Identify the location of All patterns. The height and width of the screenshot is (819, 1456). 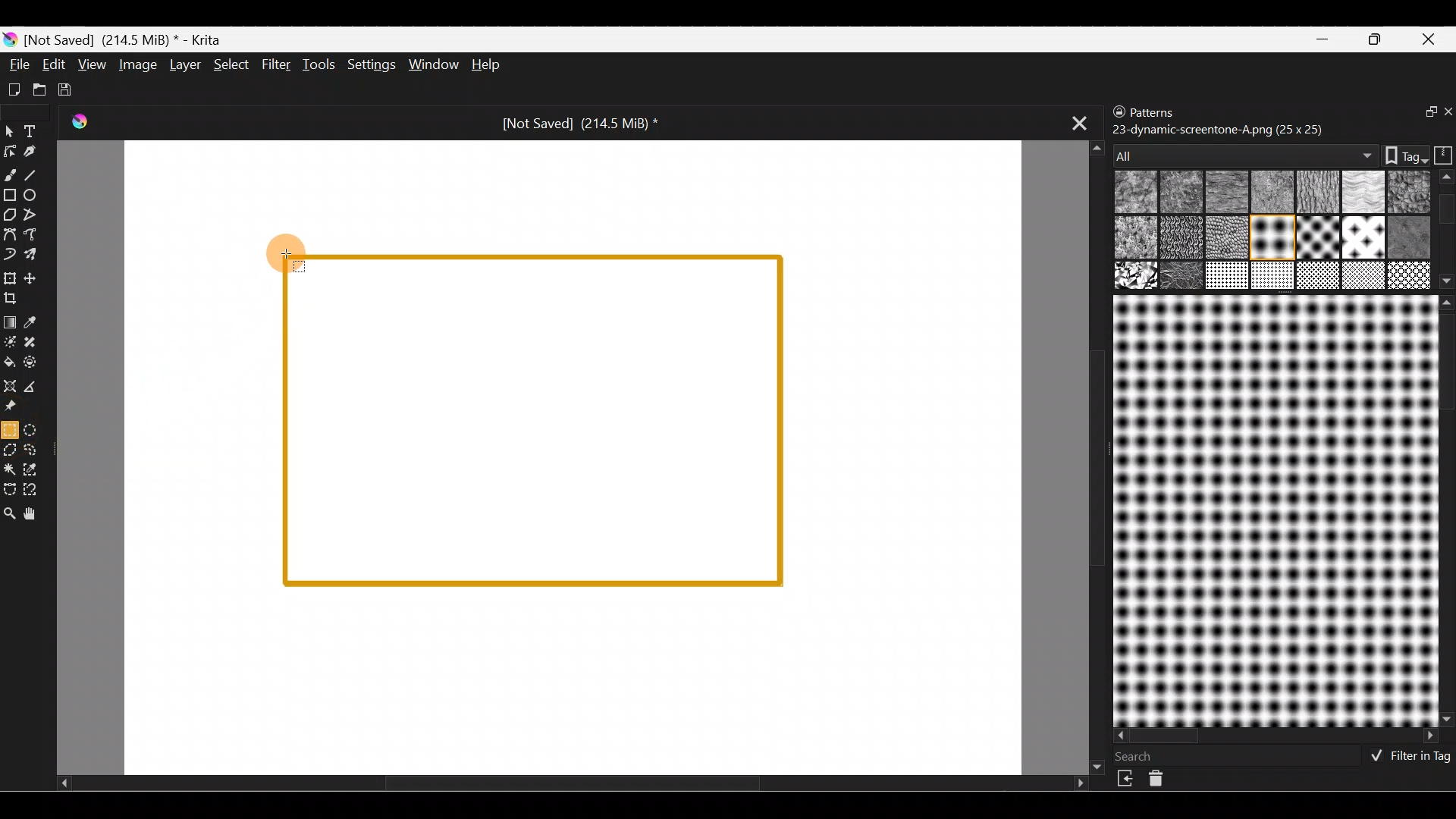
(1241, 151).